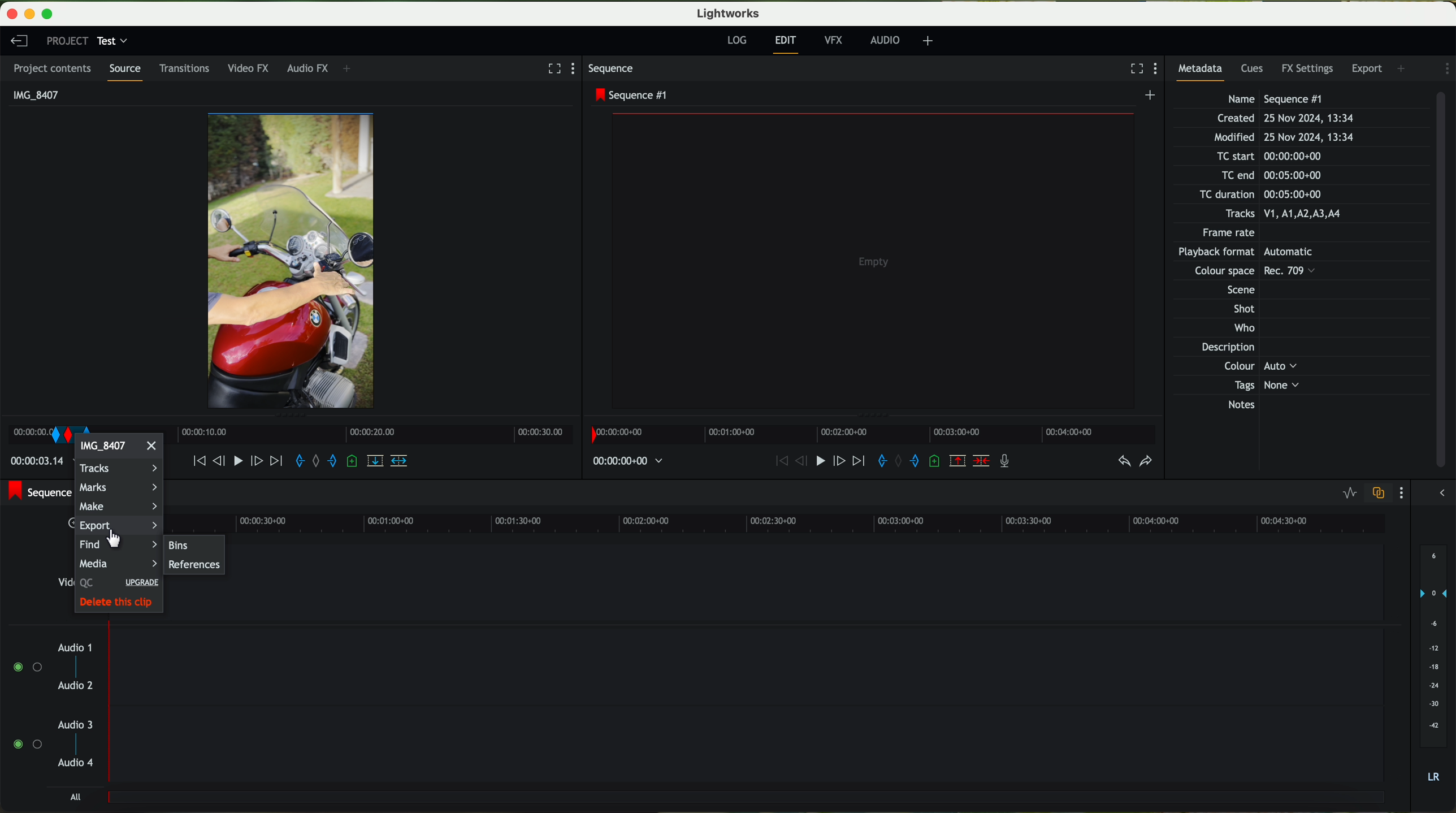 The image size is (1456, 813). I want to click on nudge one frame back, so click(221, 460).